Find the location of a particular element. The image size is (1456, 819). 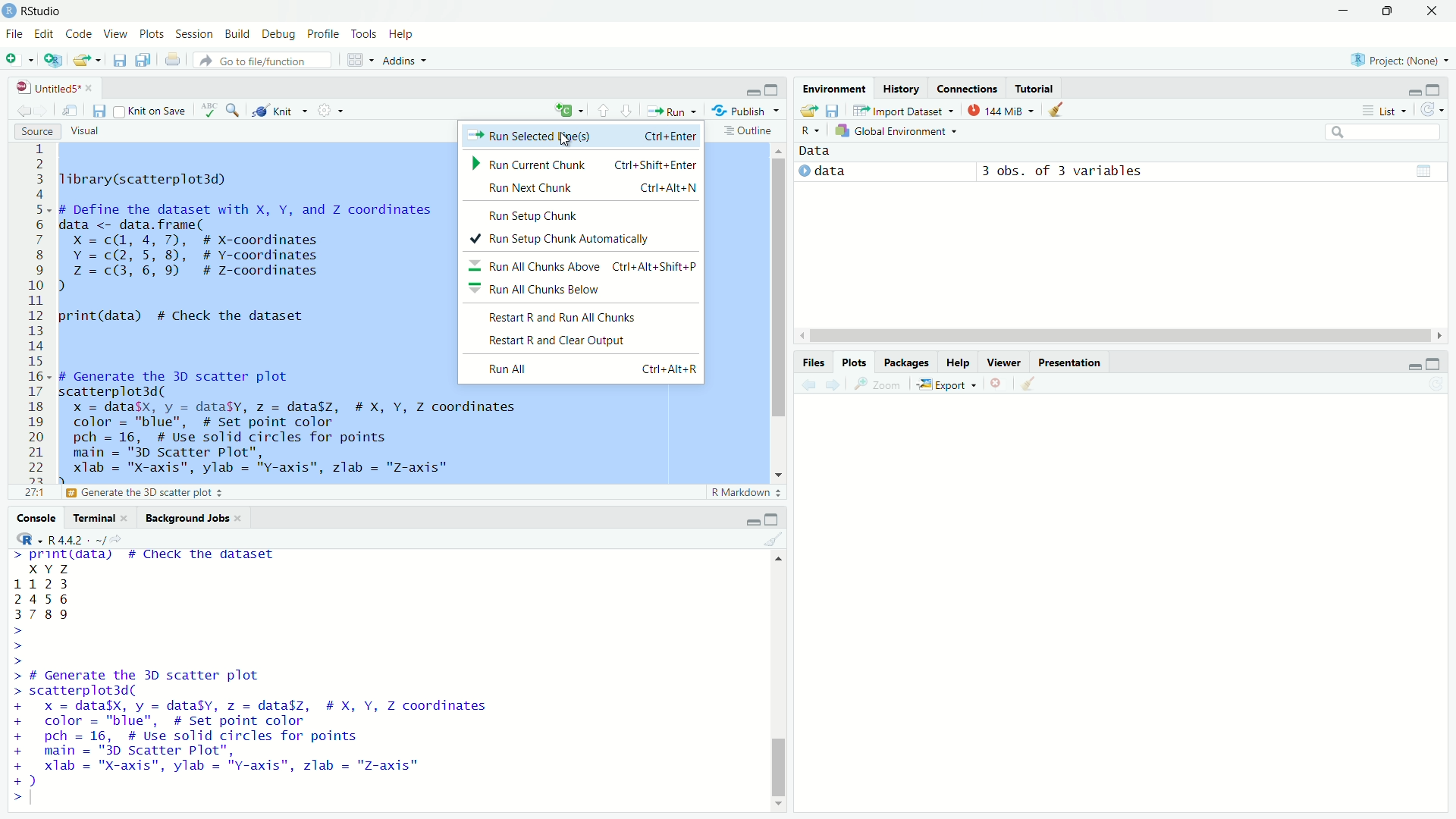

knit on save is located at coordinates (149, 111).